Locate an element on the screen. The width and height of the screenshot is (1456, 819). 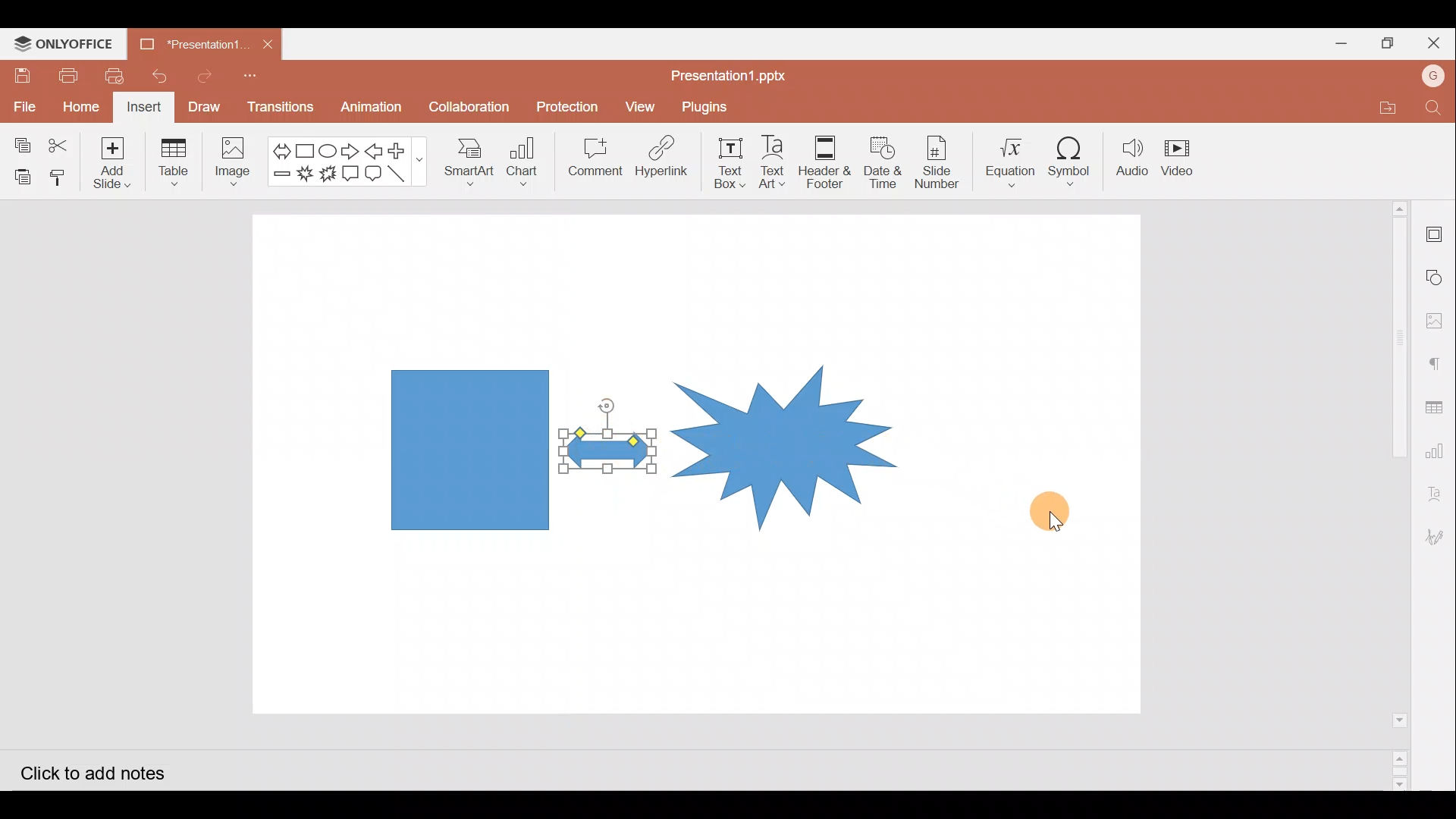
Print file is located at coordinates (65, 75).